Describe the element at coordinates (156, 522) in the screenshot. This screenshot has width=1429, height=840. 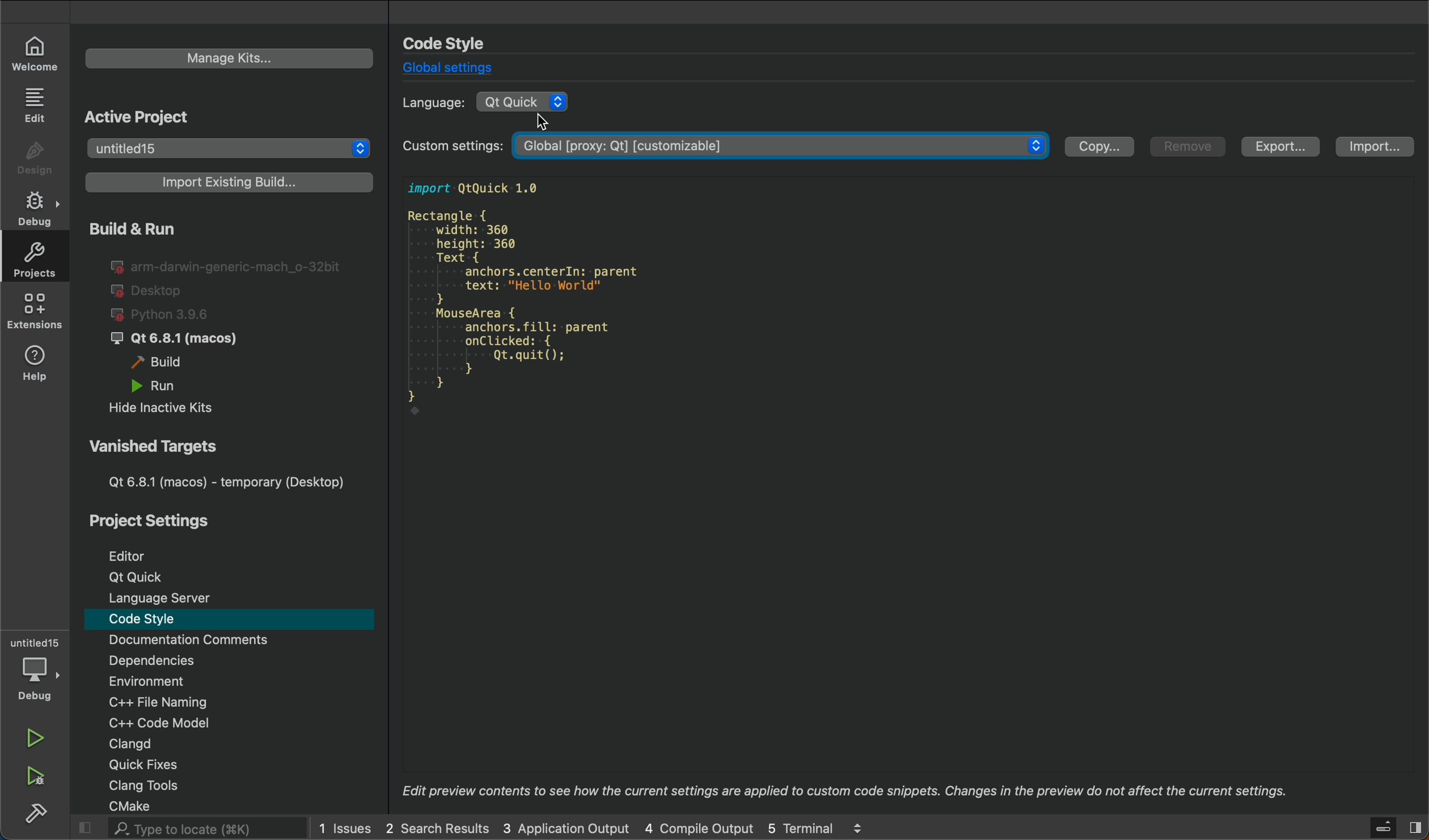
I see `project setting` at that location.